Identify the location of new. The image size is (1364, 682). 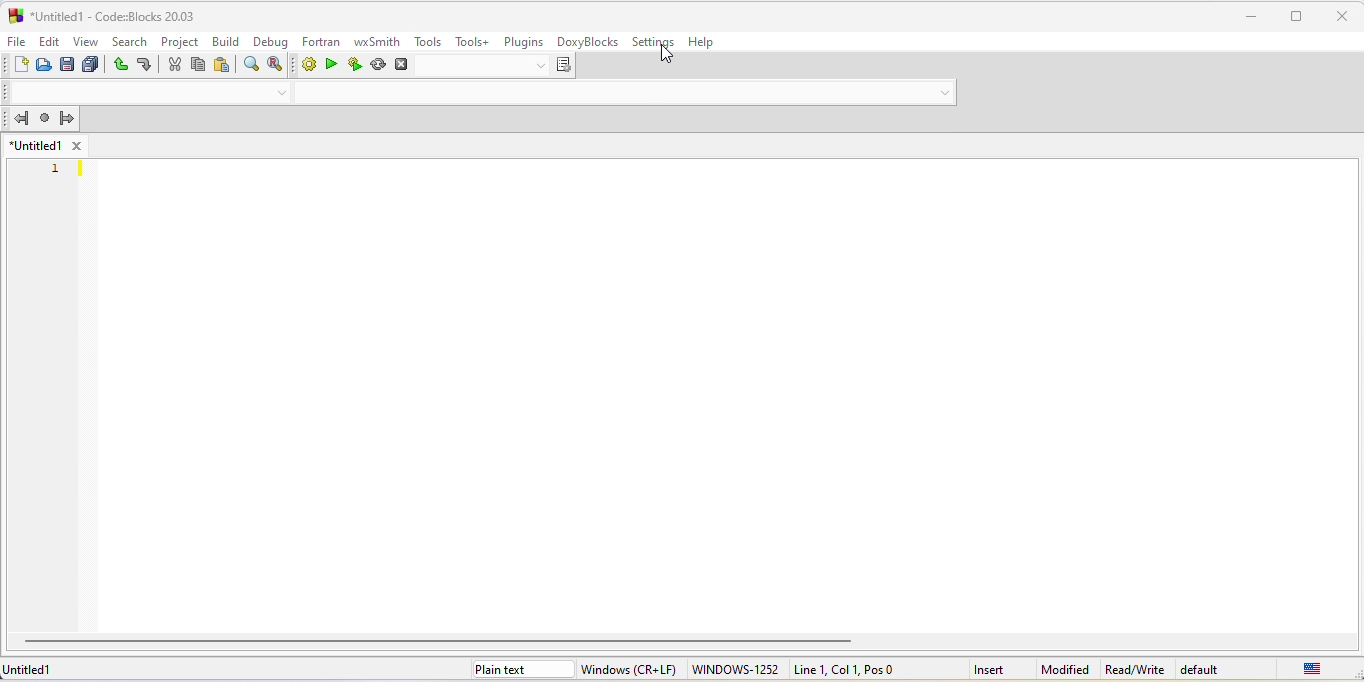
(21, 65).